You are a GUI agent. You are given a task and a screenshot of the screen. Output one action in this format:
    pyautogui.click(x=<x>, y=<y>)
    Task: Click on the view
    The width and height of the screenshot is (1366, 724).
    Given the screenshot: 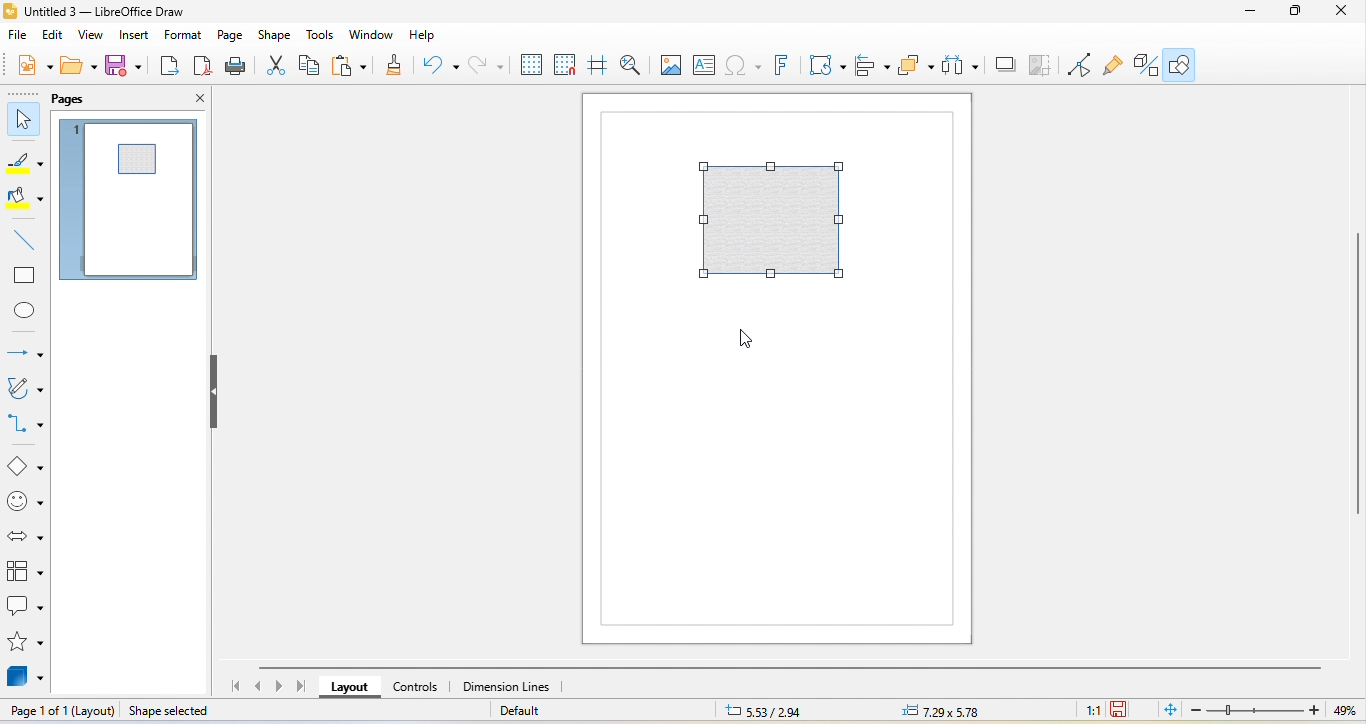 What is the action you would take?
    pyautogui.click(x=95, y=37)
    